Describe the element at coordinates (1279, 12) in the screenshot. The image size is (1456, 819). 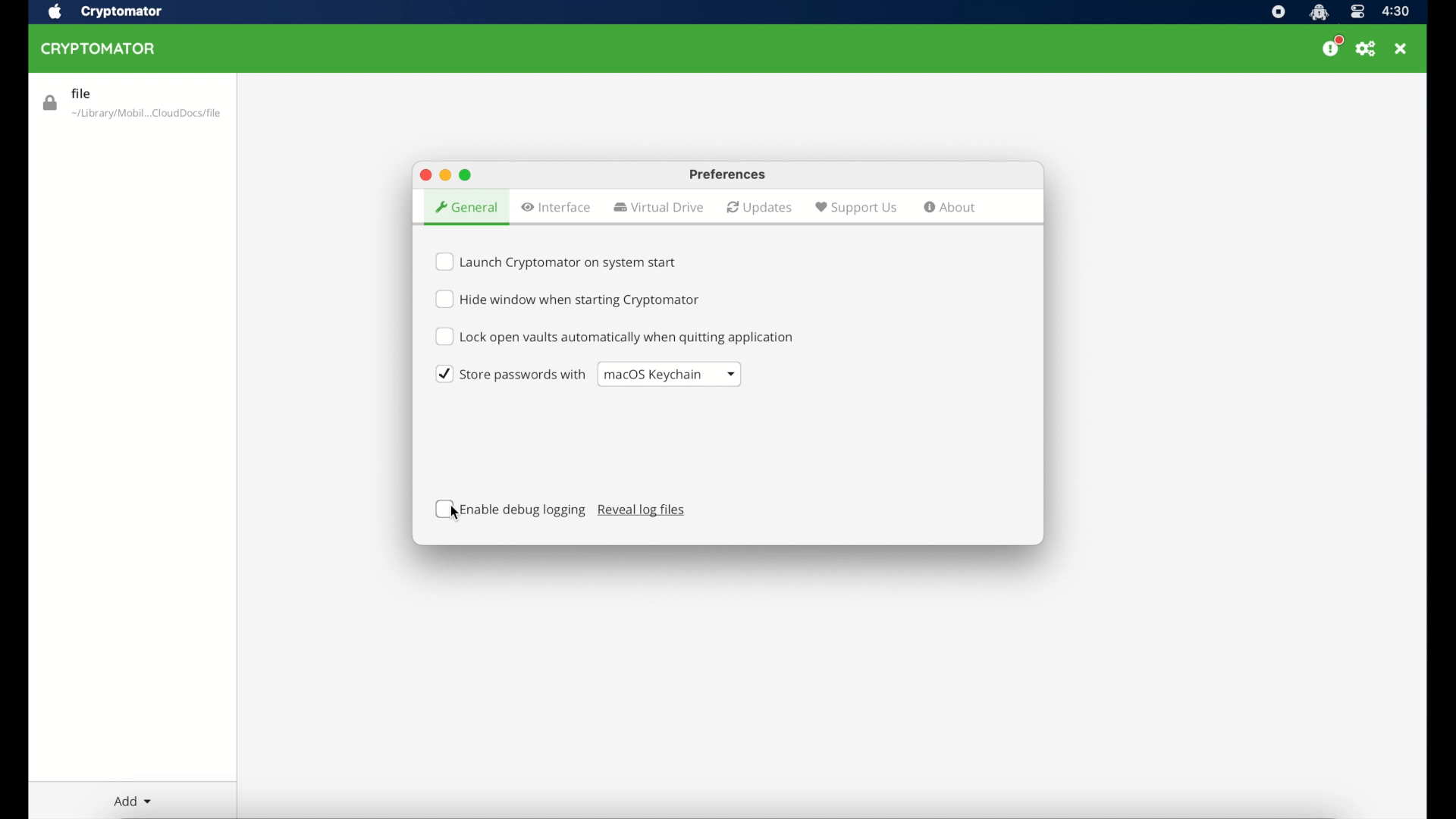
I see `screen recorder icon` at that location.